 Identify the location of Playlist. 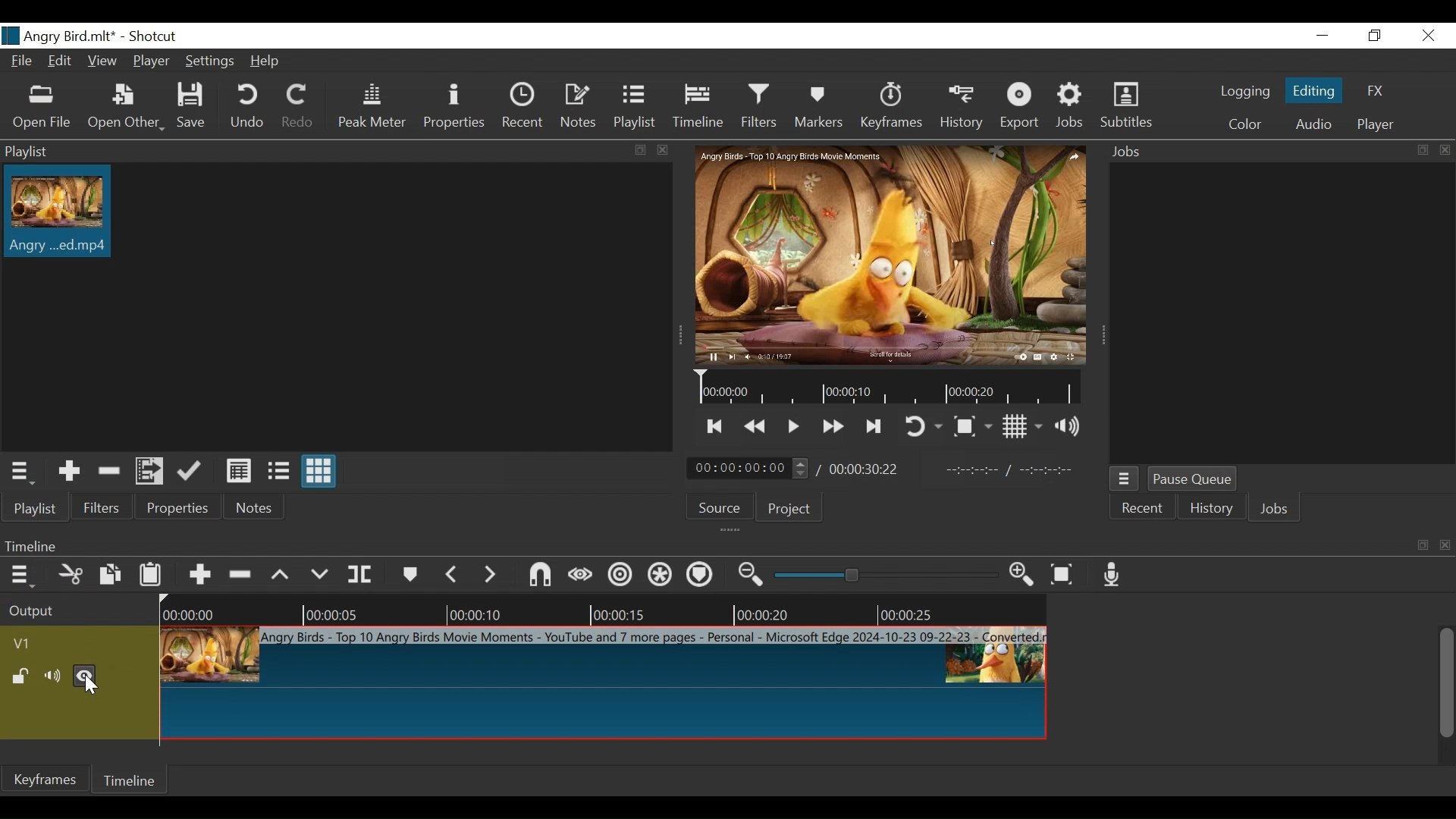
(639, 108).